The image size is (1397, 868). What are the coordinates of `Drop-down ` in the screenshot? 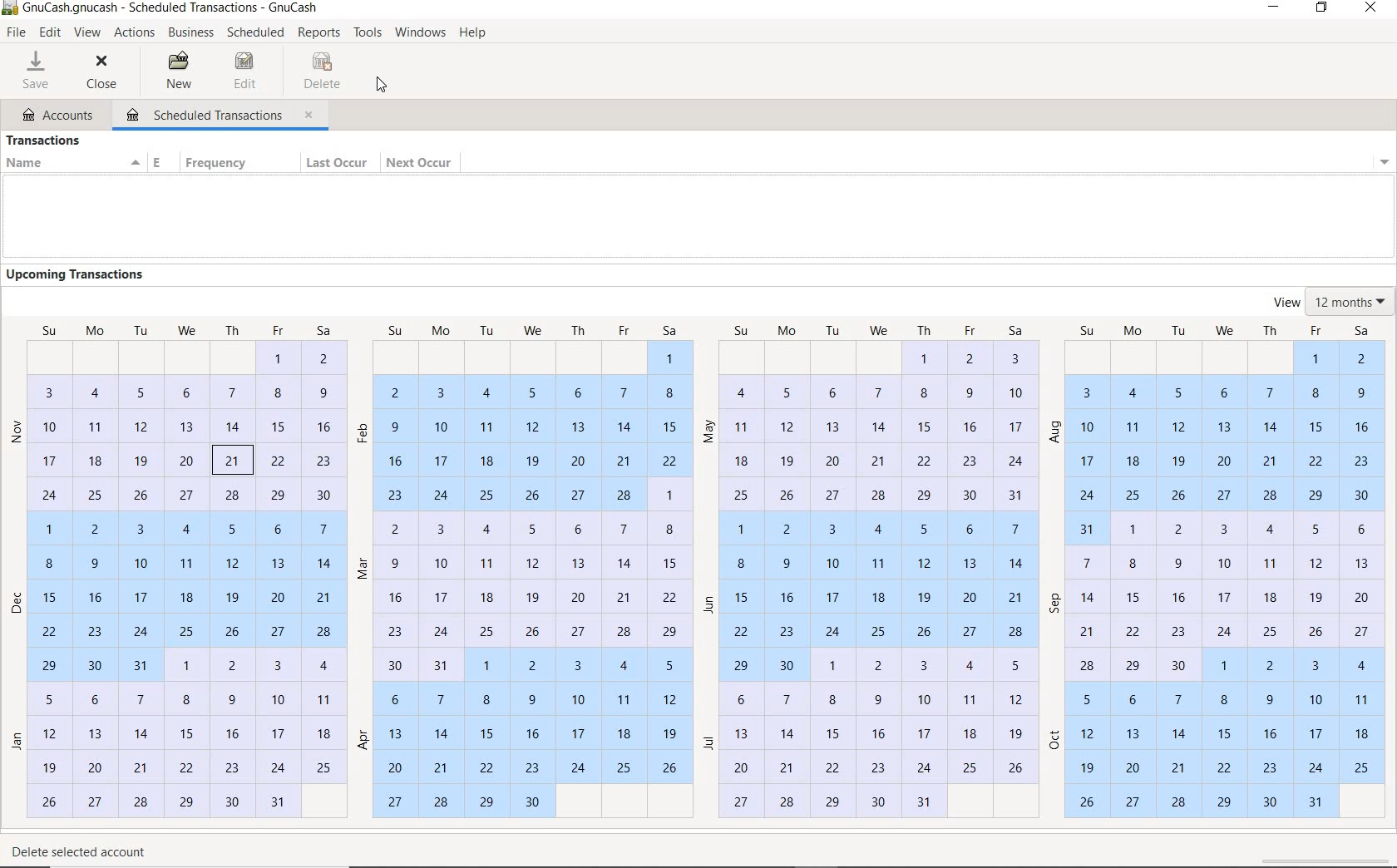 It's located at (1385, 161).